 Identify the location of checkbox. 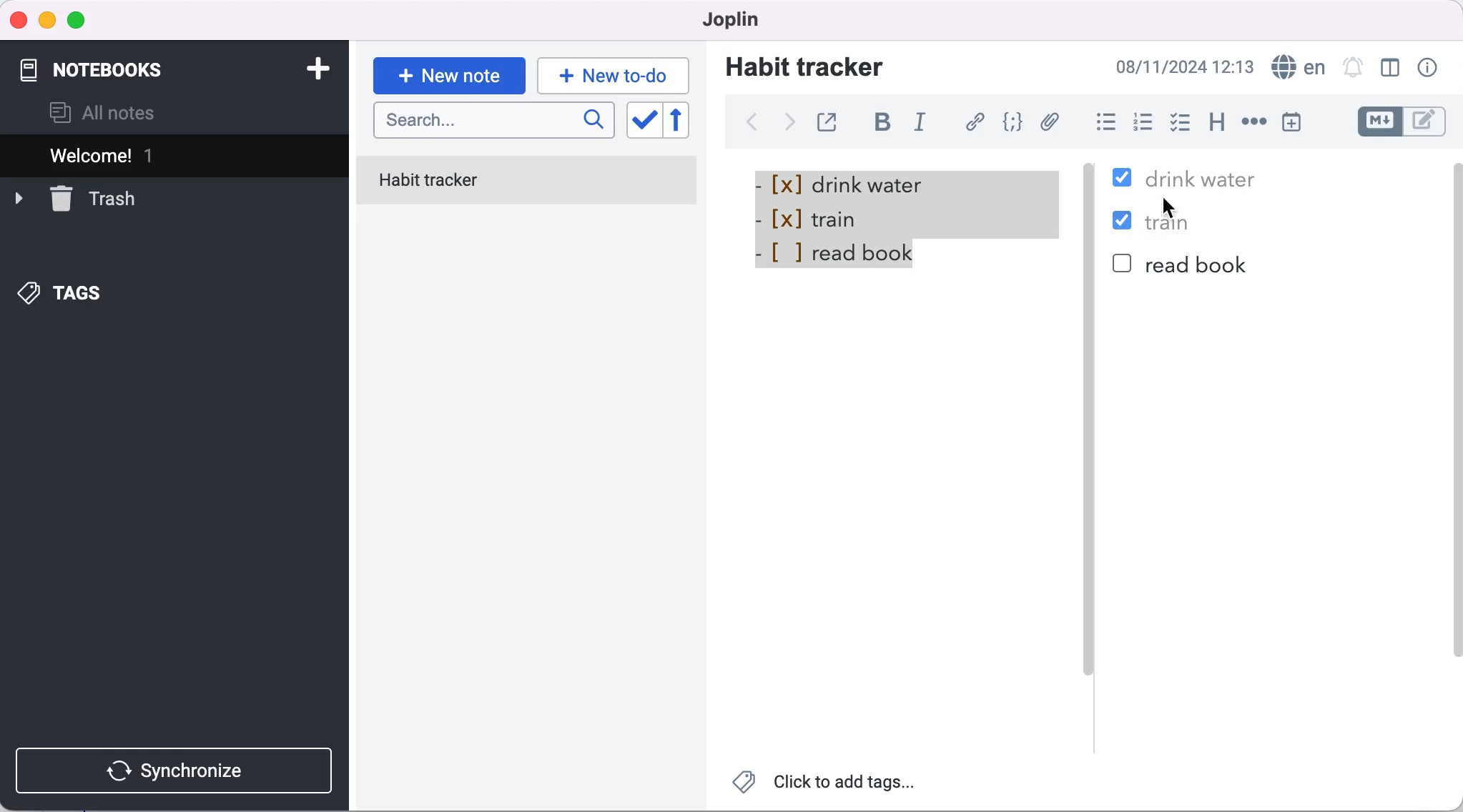
(1181, 117).